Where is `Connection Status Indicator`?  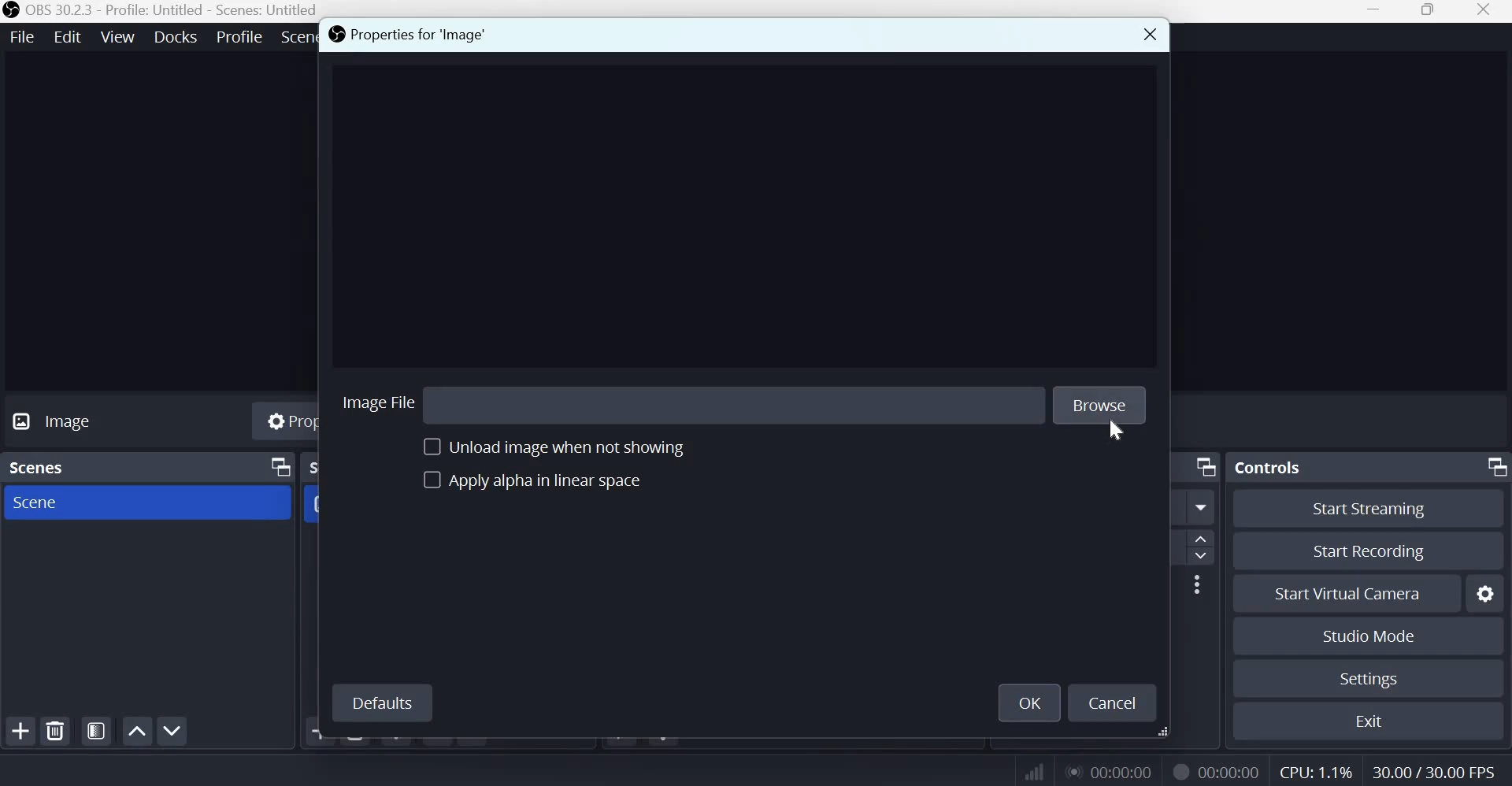 Connection Status Indicator is located at coordinates (1034, 771).